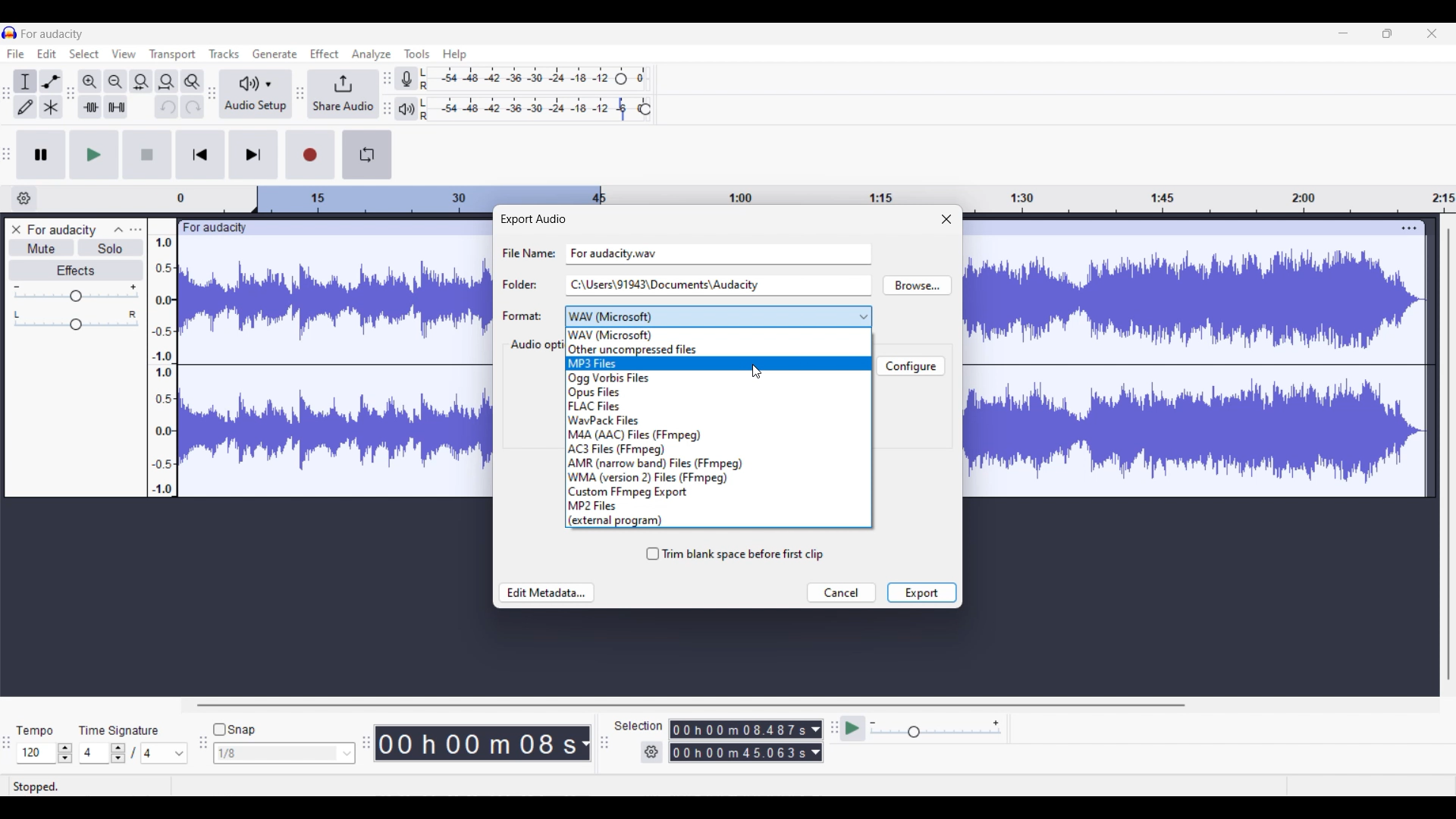  I want to click on Silence audio selection, so click(117, 107).